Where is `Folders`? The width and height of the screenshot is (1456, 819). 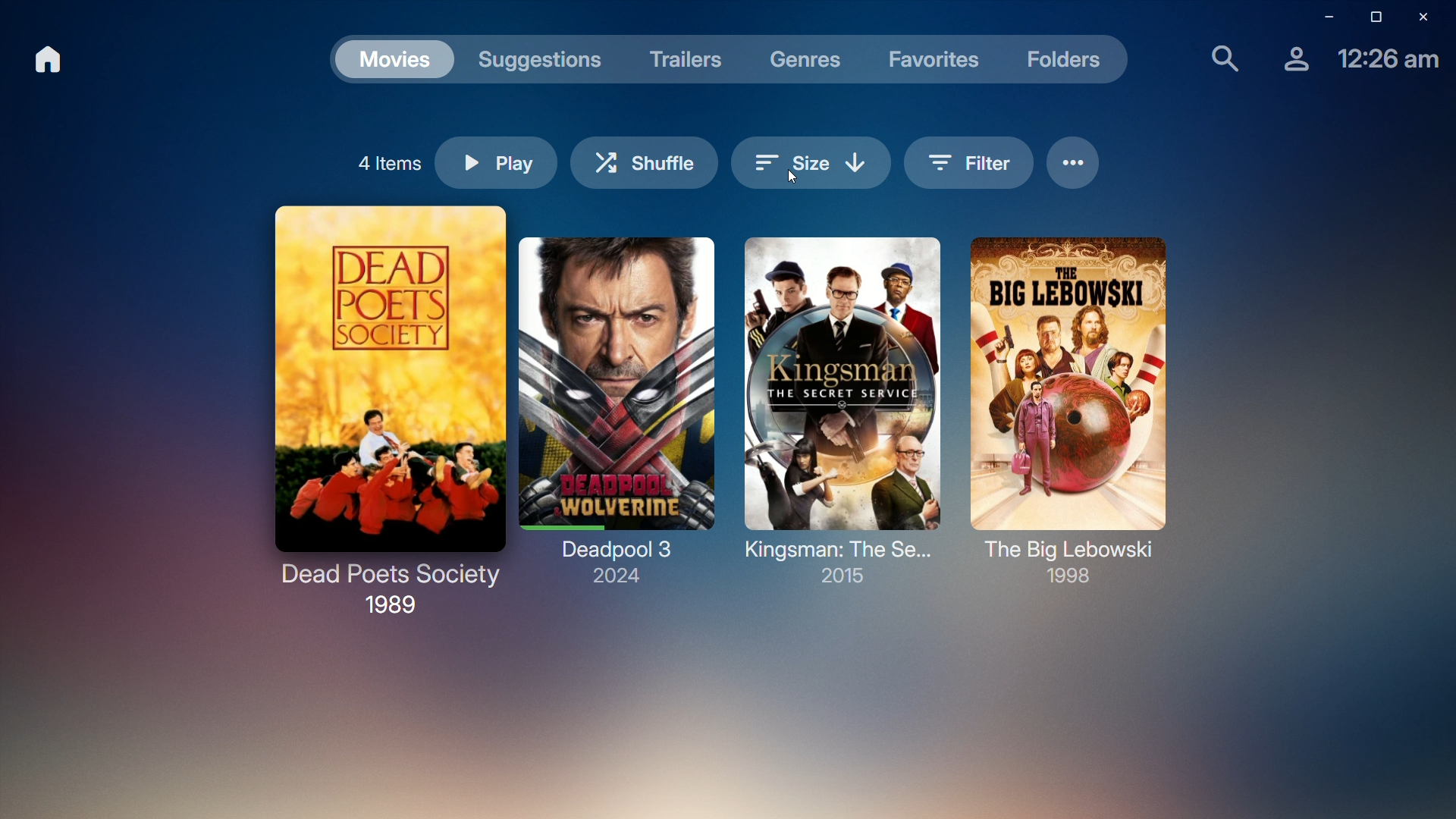
Folders is located at coordinates (1069, 64).